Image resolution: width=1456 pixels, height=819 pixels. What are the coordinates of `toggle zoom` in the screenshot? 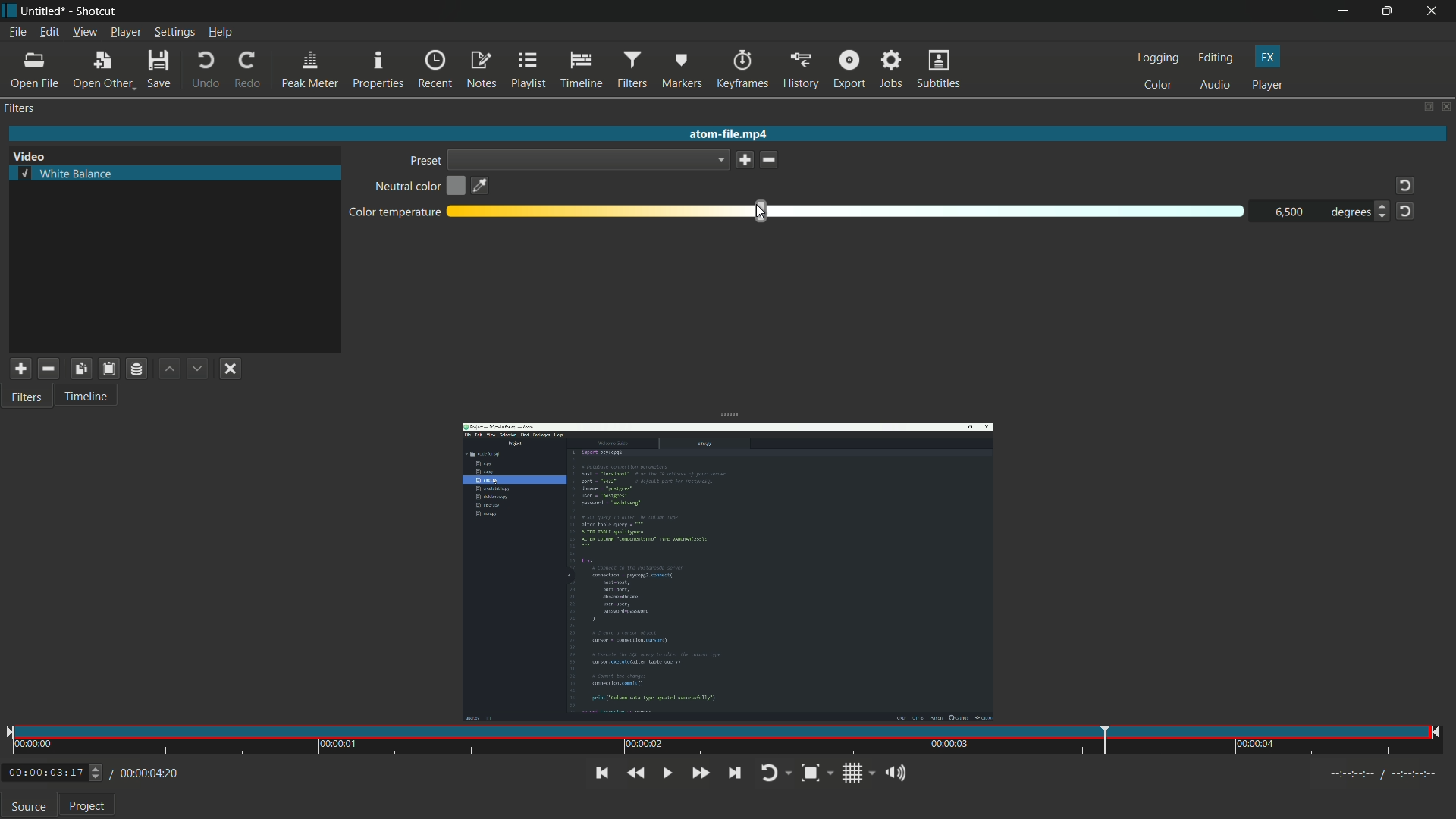 It's located at (817, 773).